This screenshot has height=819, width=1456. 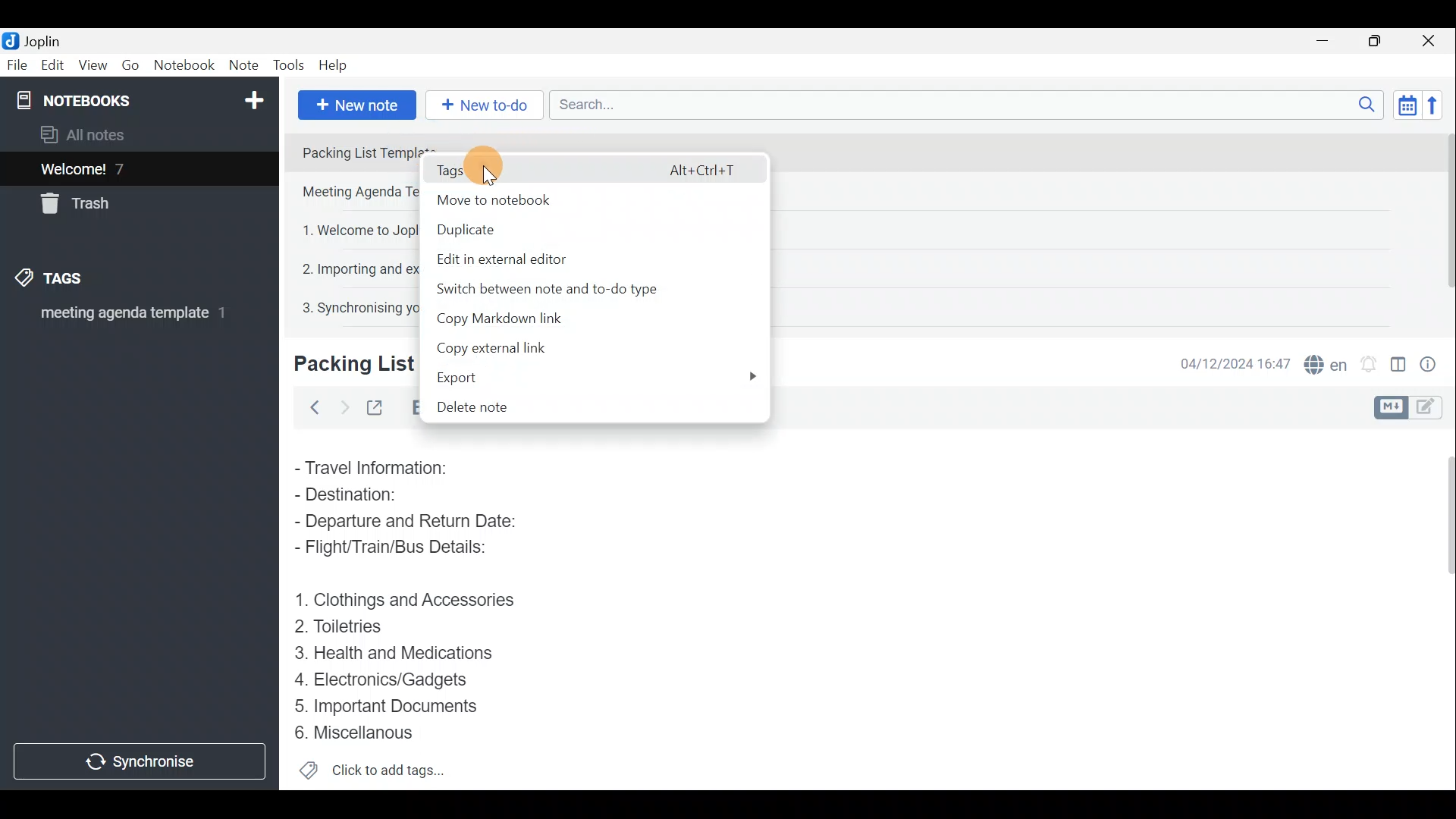 What do you see at coordinates (94, 65) in the screenshot?
I see `View` at bounding box center [94, 65].